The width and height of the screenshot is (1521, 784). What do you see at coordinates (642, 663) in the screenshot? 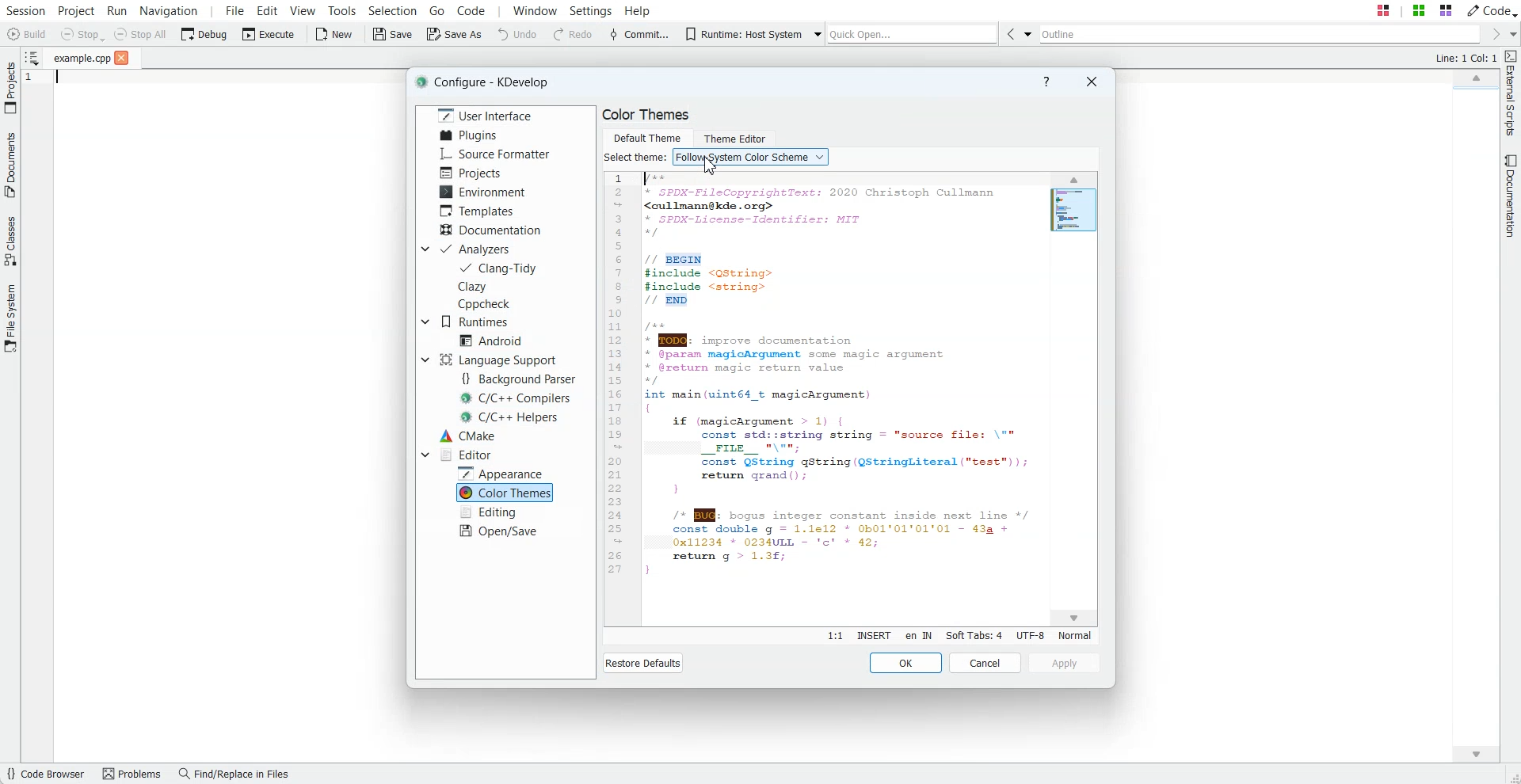
I see `Restore Default` at bounding box center [642, 663].